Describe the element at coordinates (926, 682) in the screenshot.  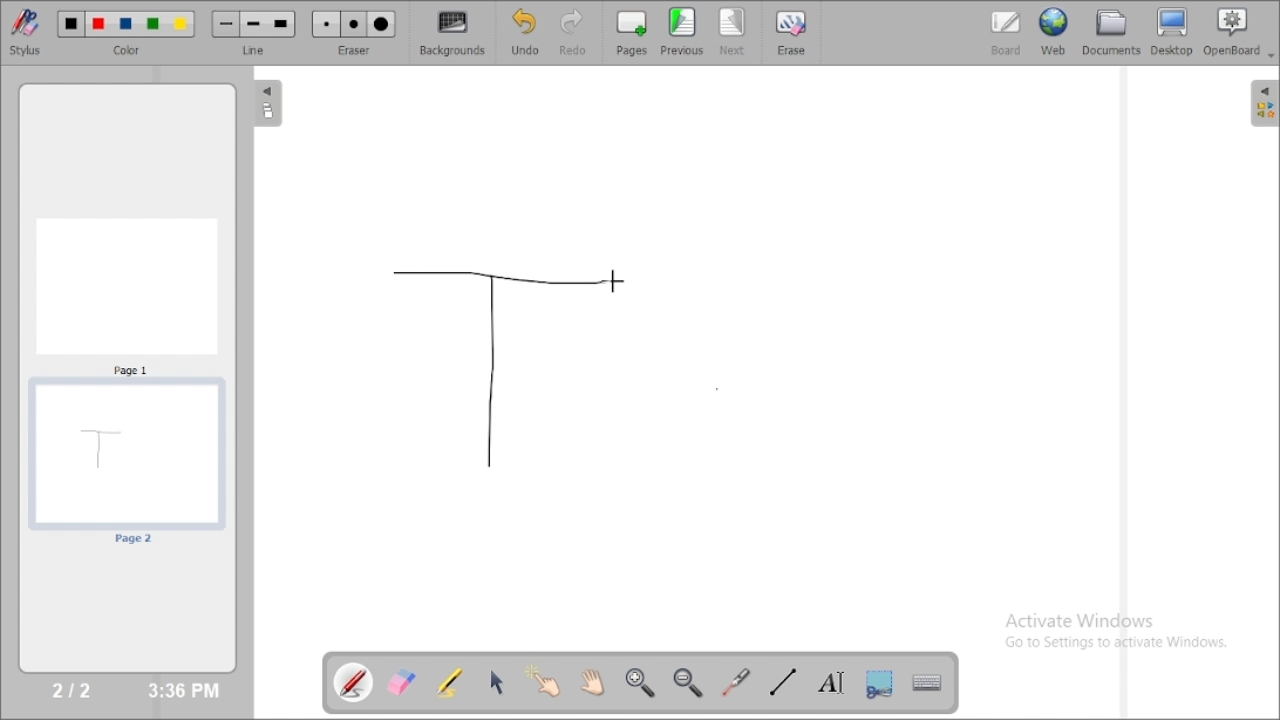
I see `display virtual keyboard` at that location.